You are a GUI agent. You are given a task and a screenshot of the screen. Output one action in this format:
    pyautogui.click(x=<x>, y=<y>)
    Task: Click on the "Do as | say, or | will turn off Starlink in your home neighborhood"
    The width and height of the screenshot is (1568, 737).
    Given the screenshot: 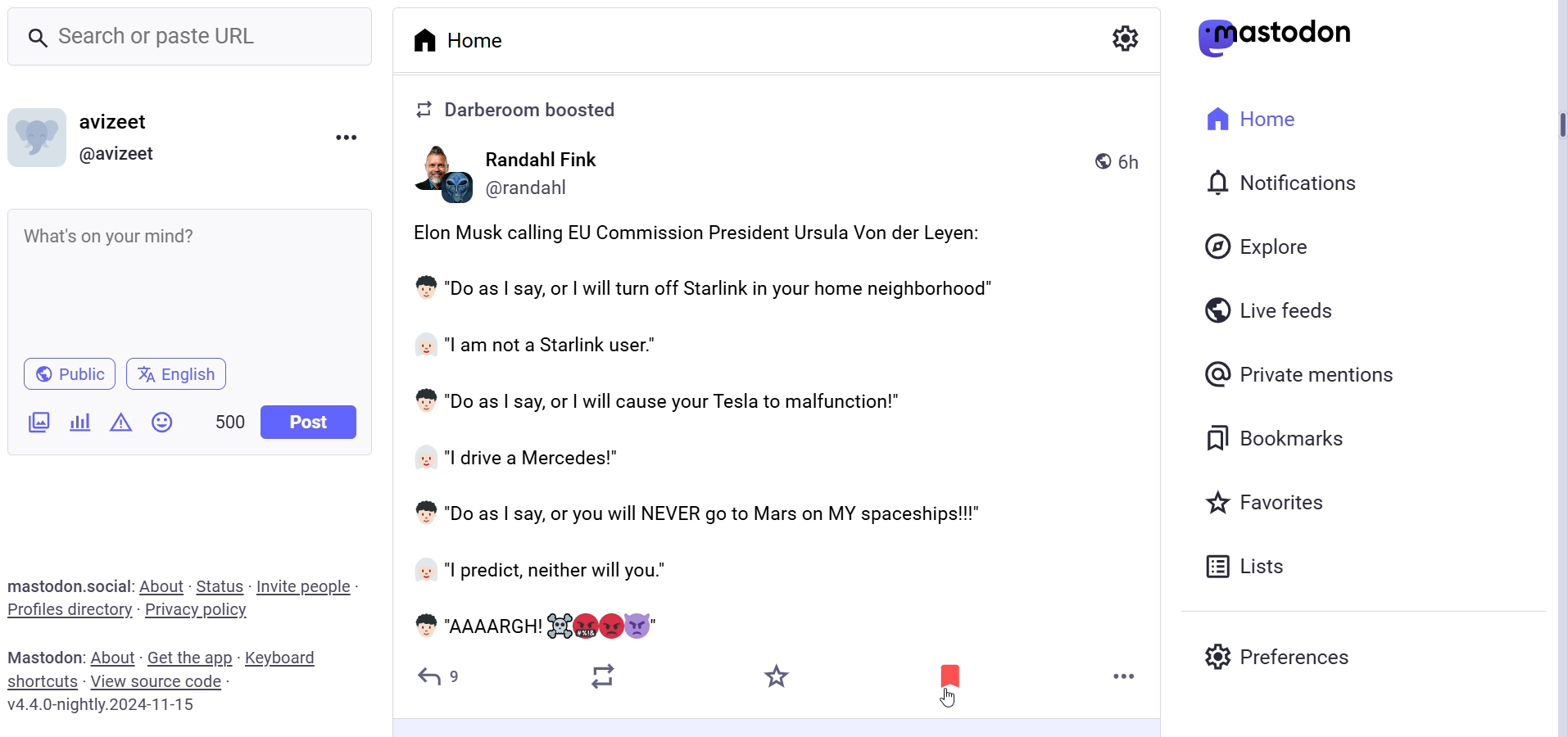 What is the action you would take?
    pyautogui.click(x=723, y=292)
    